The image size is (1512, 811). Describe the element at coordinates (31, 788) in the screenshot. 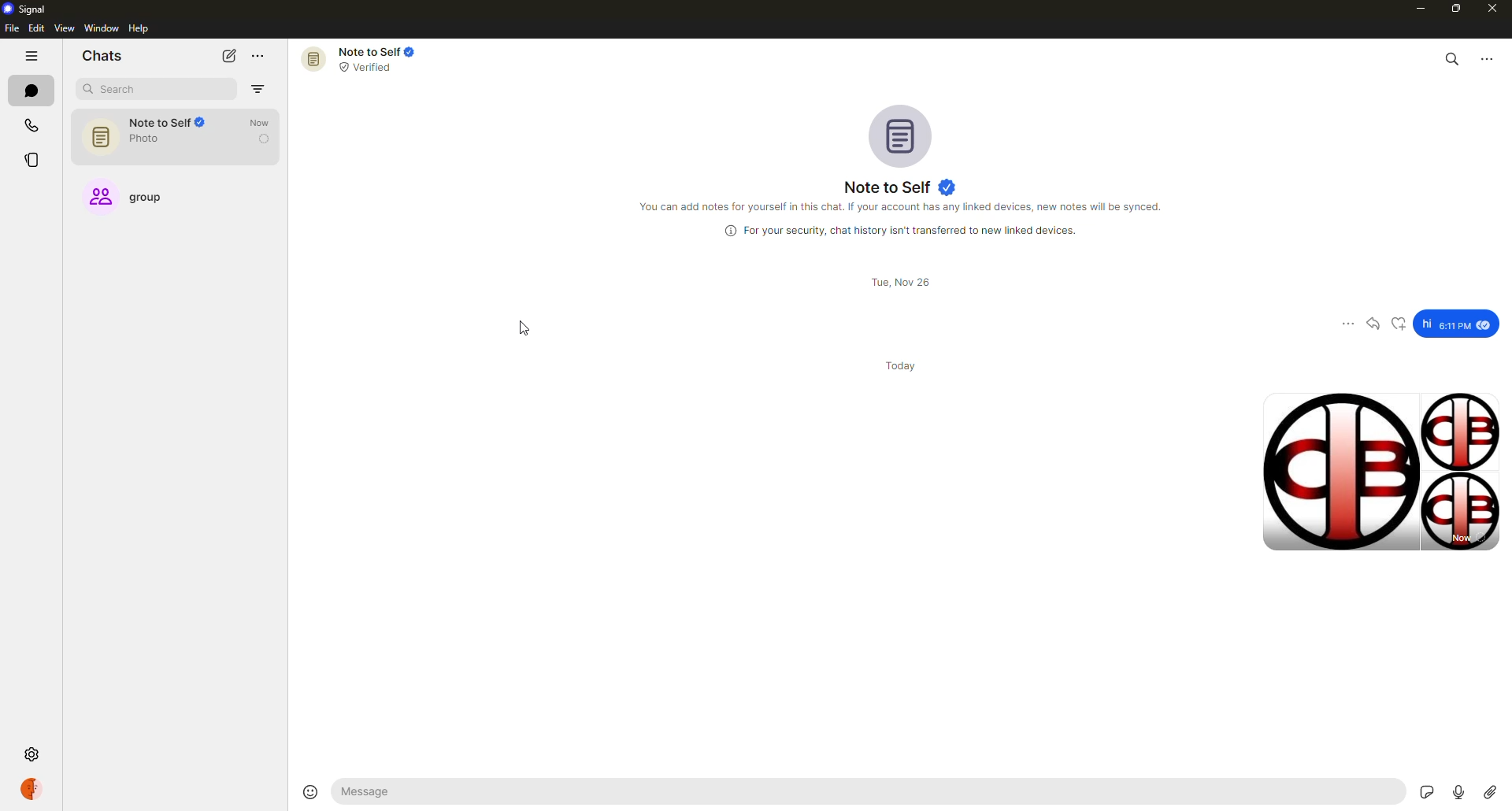

I see `profile` at that location.